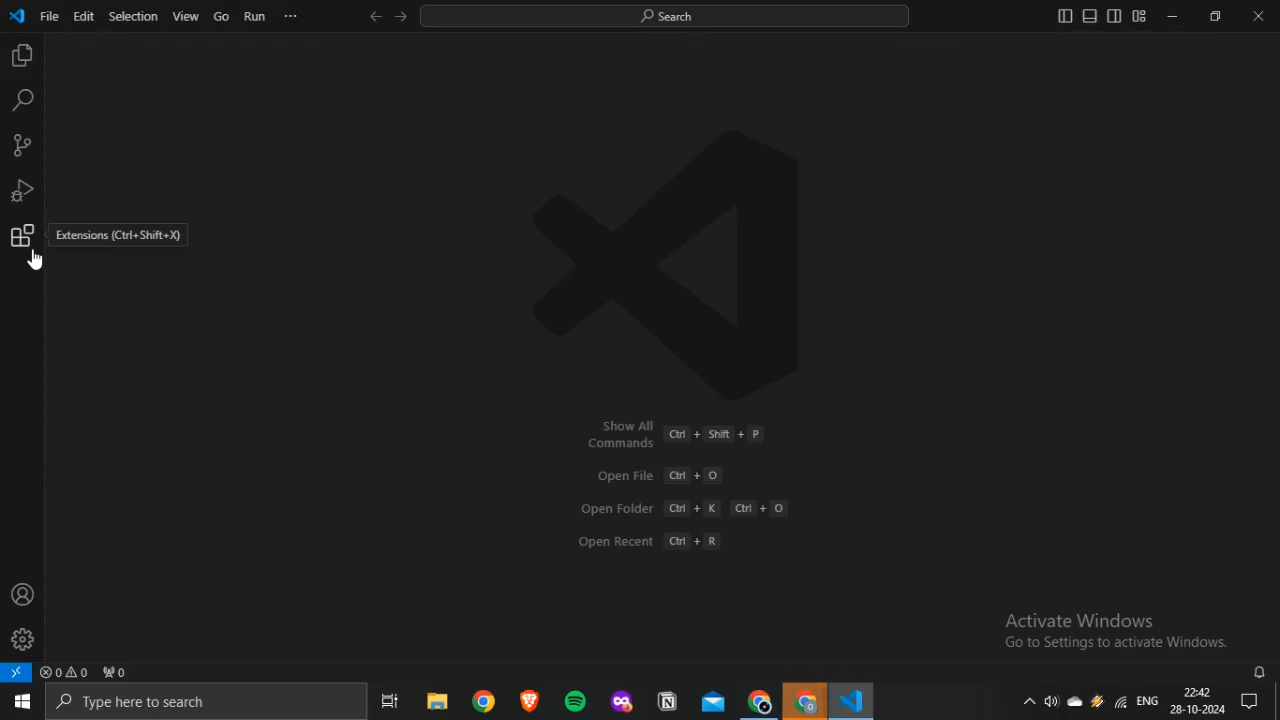 This screenshot has height=720, width=1280. Describe the element at coordinates (1051, 701) in the screenshot. I see `volume` at that location.